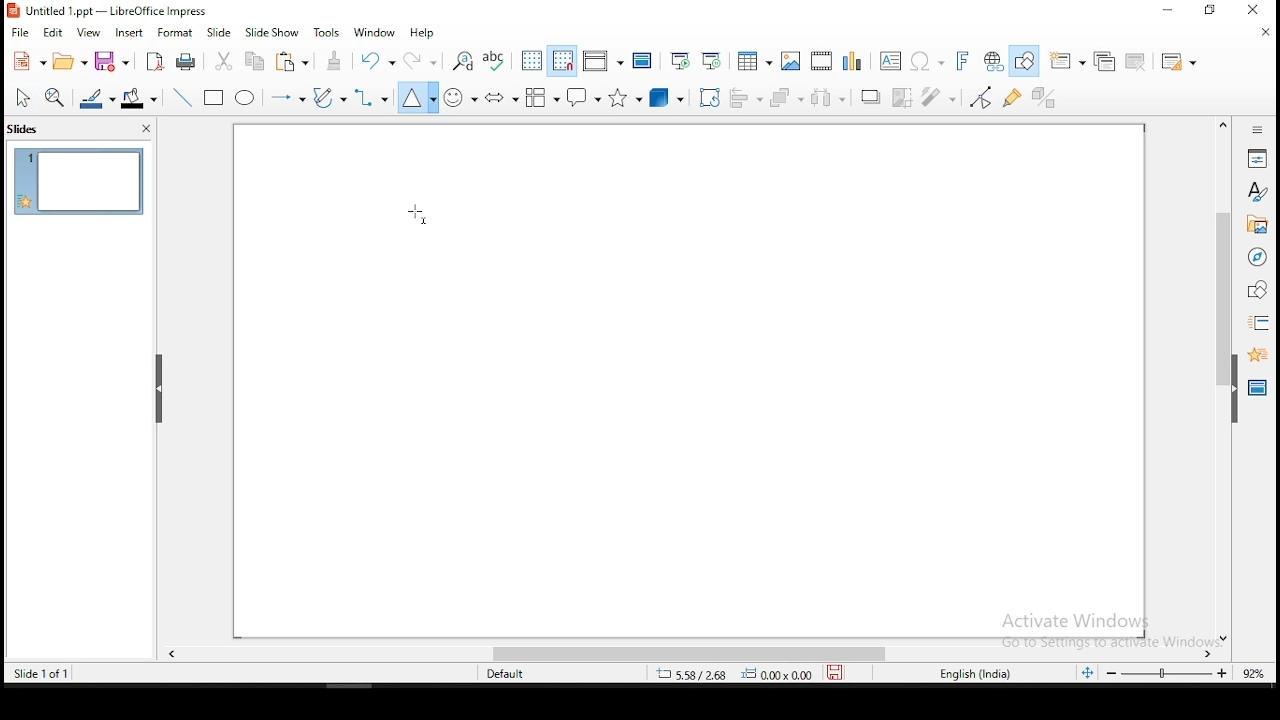 Image resolution: width=1280 pixels, height=720 pixels. What do you see at coordinates (790, 59) in the screenshot?
I see `images` at bounding box center [790, 59].